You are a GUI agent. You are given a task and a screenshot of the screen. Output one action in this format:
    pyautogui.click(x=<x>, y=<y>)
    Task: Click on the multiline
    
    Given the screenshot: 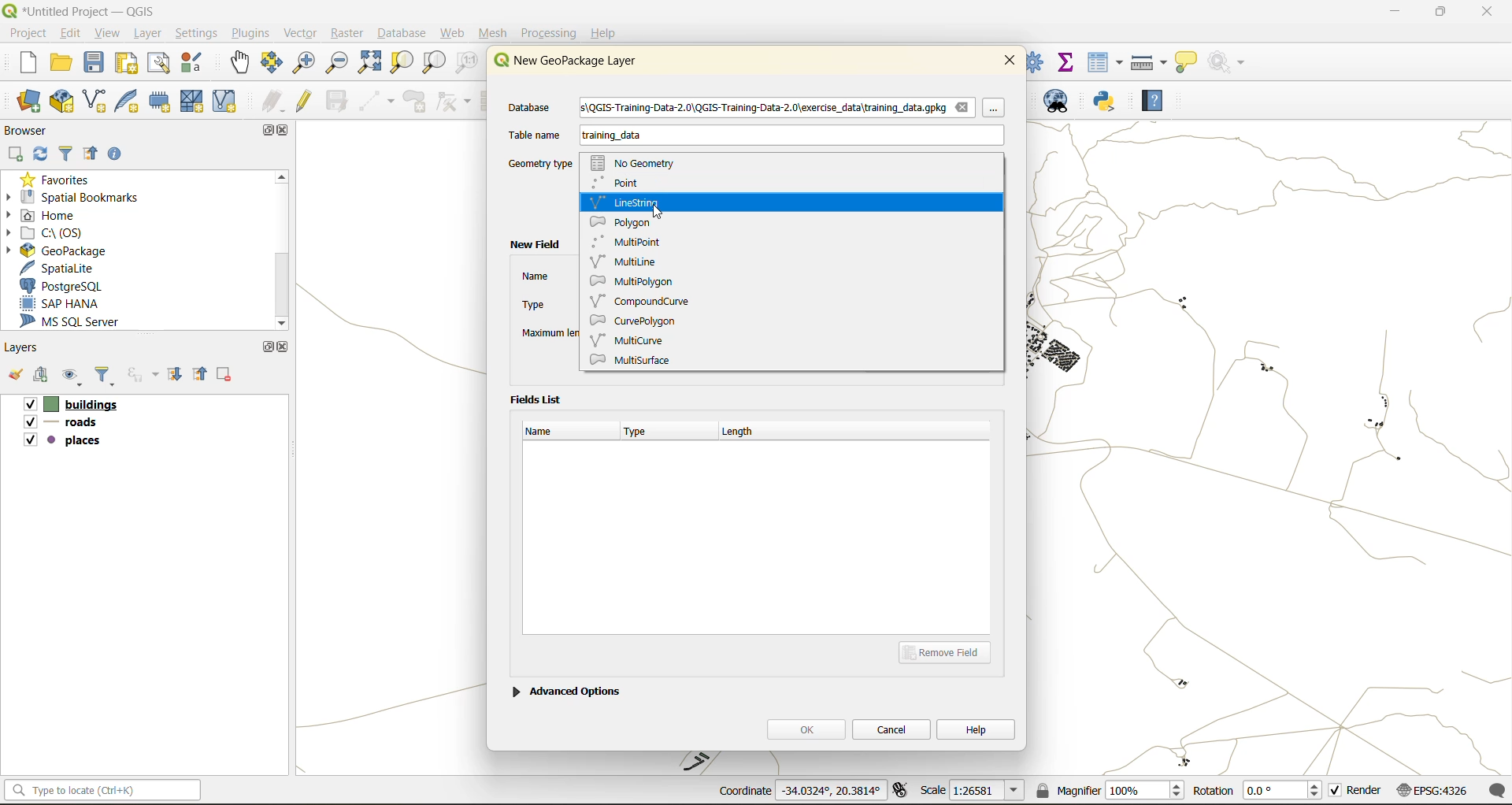 What is the action you would take?
    pyautogui.click(x=630, y=261)
    